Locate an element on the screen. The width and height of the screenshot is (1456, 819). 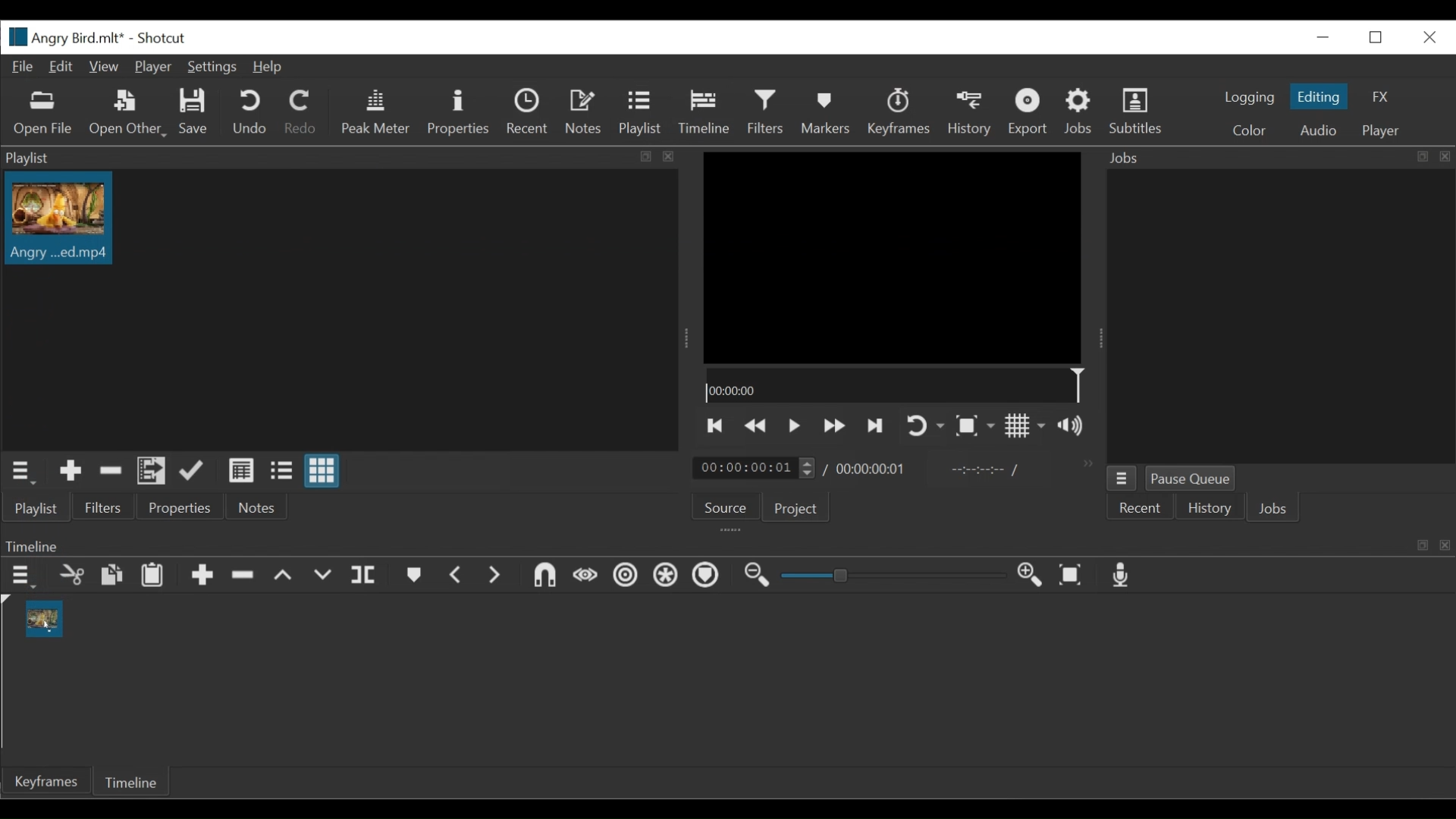
Previous marker is located at coordinates (457, 576).